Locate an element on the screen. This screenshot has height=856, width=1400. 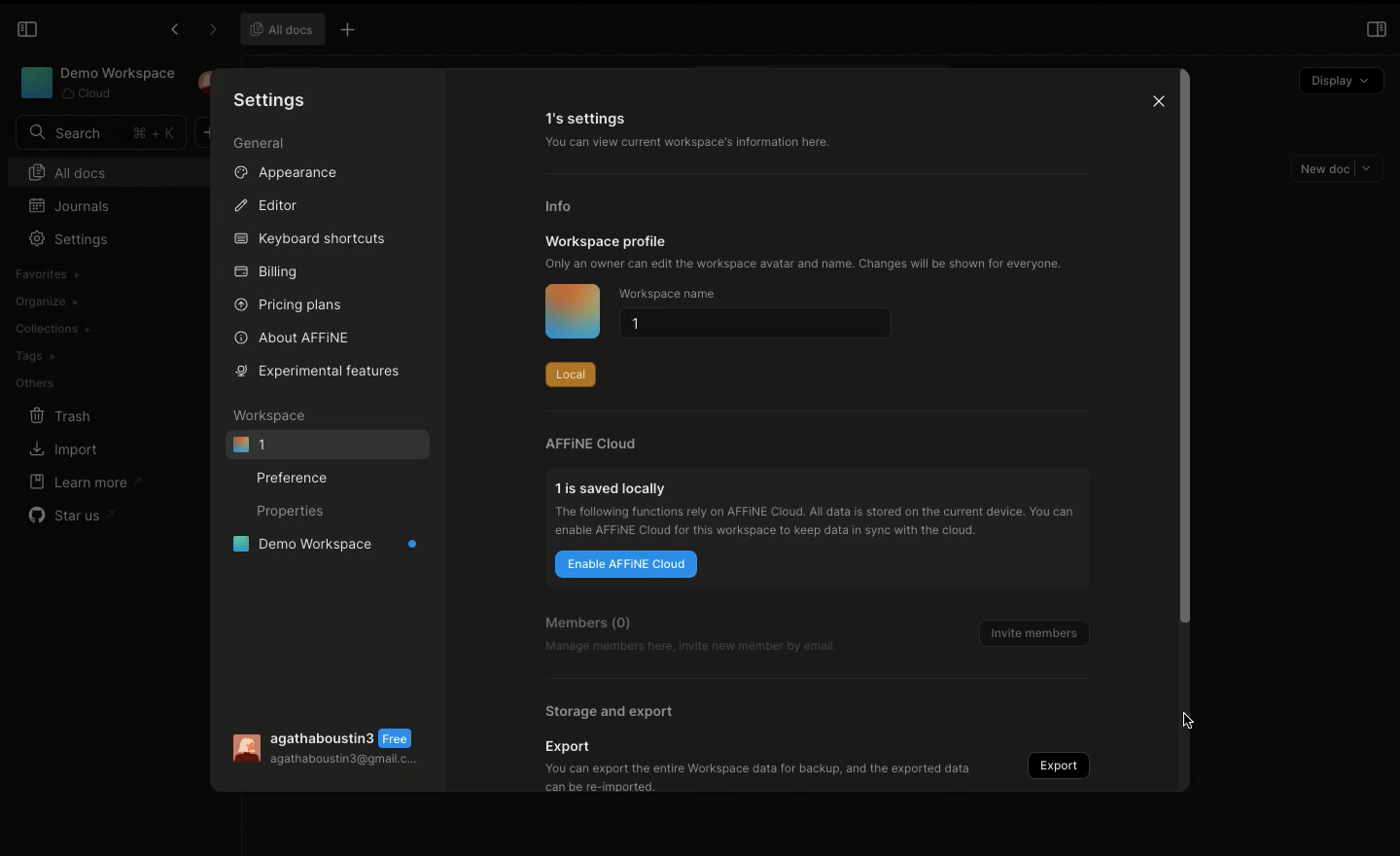
1's settings is located at coordinates (583, 118).